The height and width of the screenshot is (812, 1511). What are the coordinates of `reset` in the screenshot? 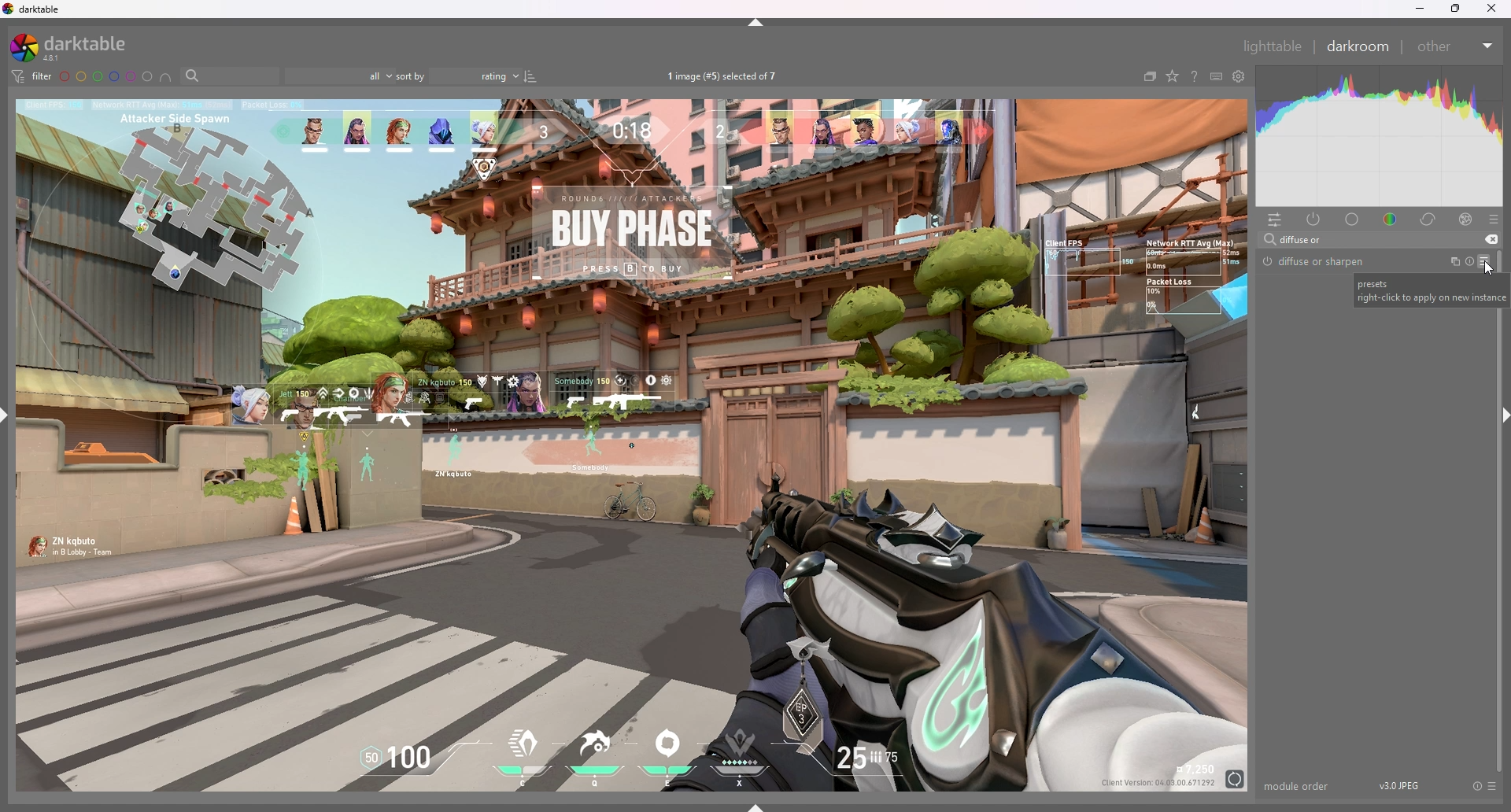 It's located at (1469, 263).